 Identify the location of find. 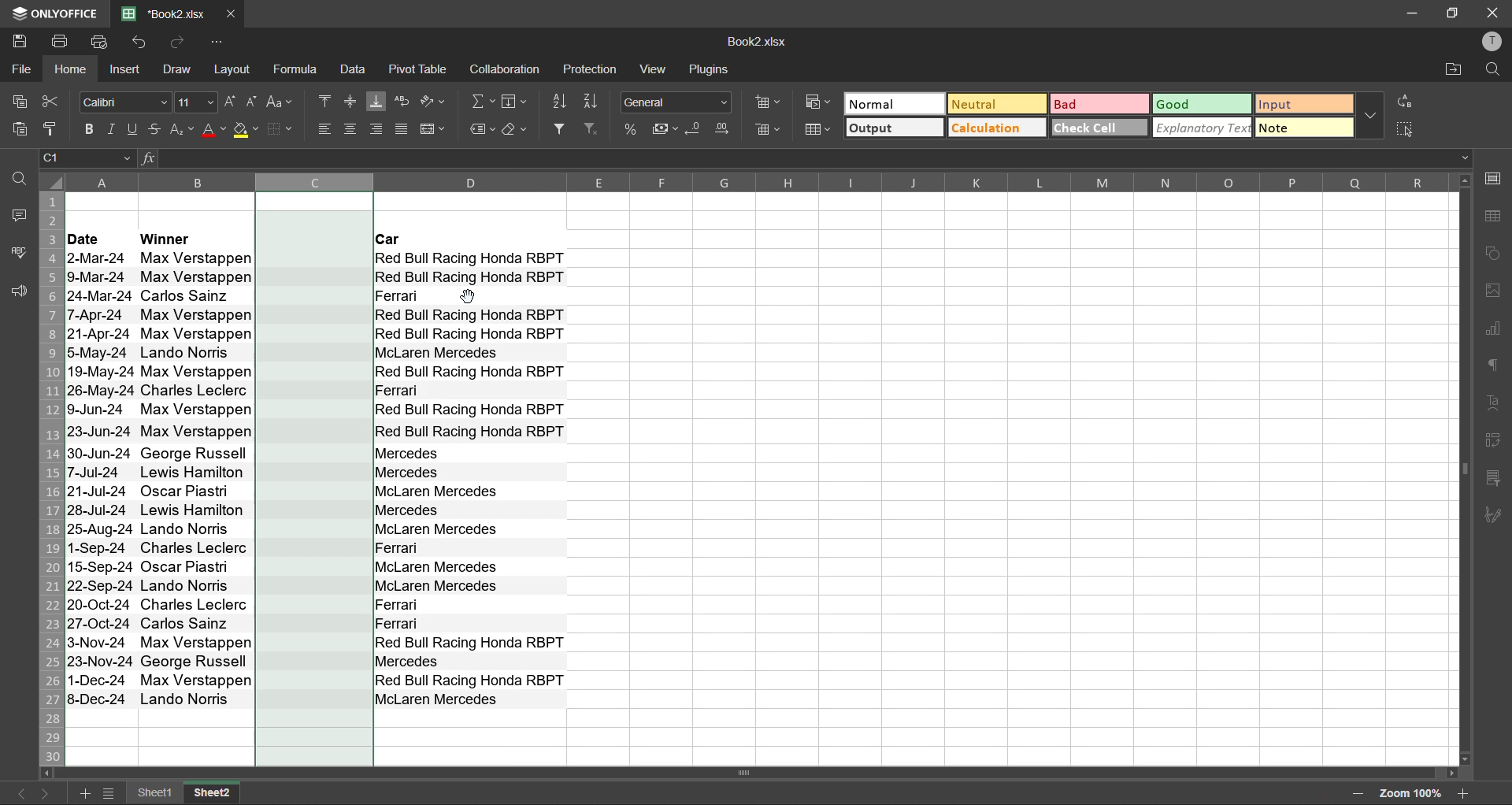
(1492, 71).